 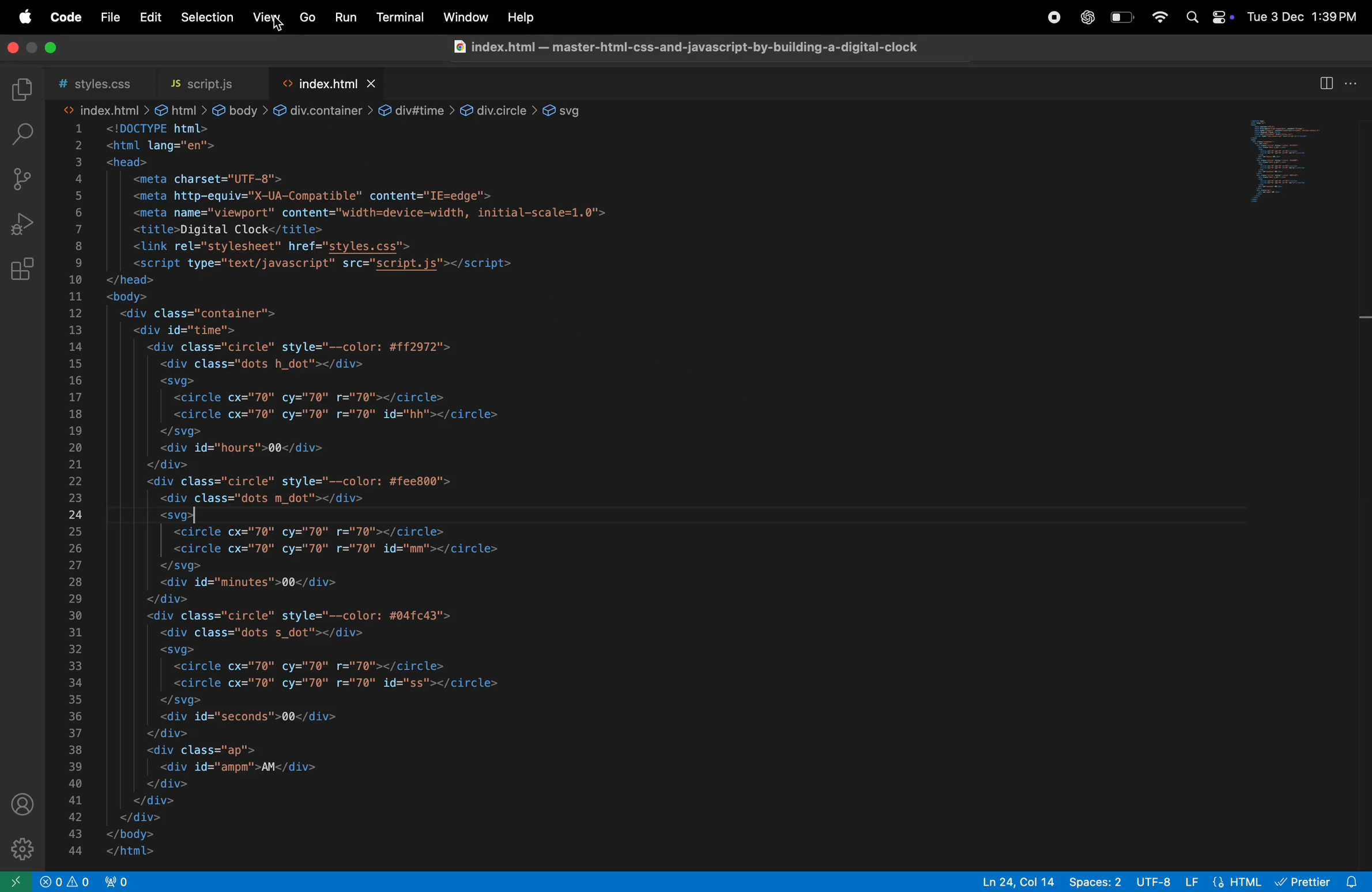 What do you see at coordinates (463, 18) in the screenshot?
I see `window` at bounding box center [463, 18].